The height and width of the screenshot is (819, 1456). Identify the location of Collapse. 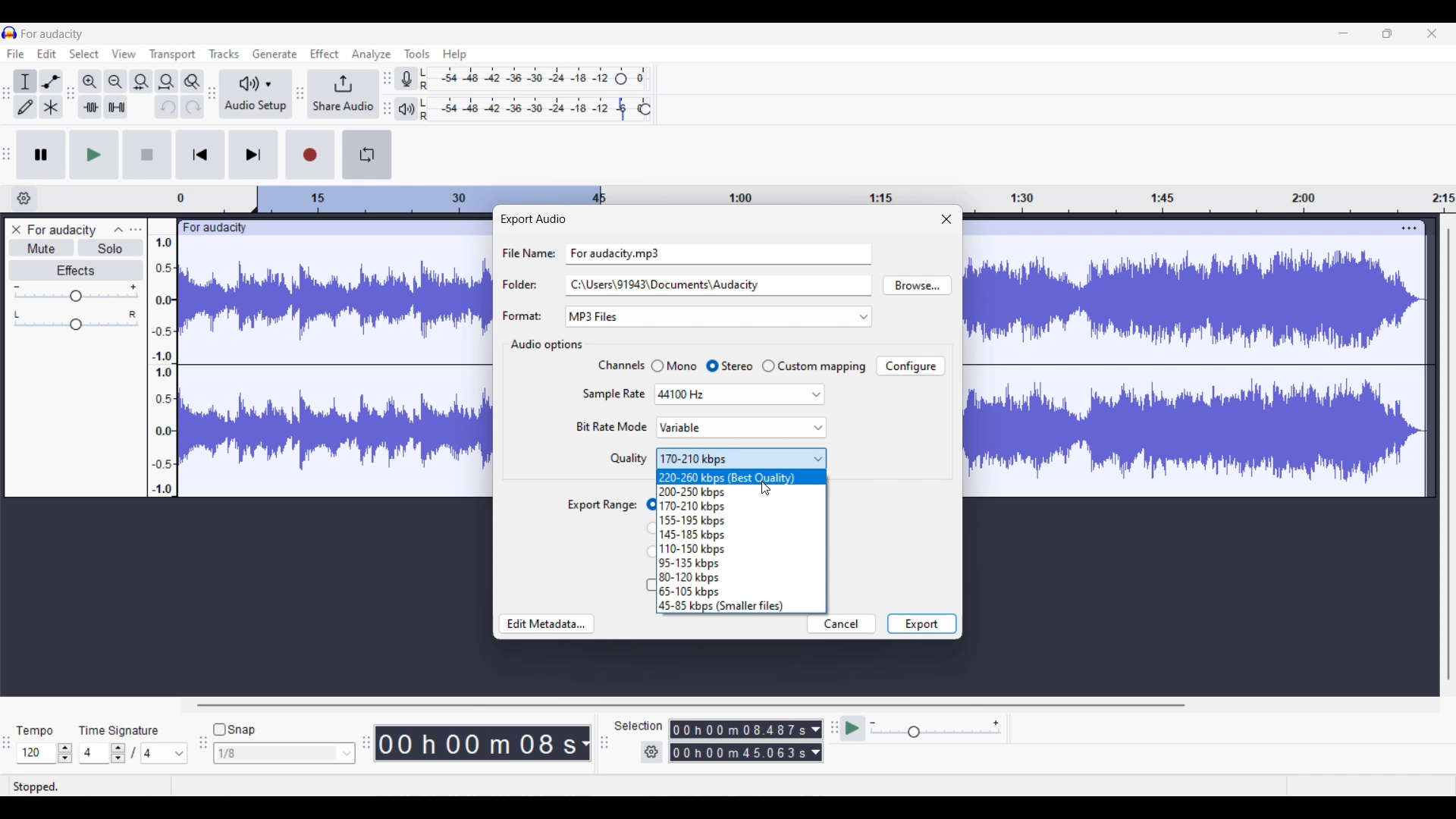
(119, 230).